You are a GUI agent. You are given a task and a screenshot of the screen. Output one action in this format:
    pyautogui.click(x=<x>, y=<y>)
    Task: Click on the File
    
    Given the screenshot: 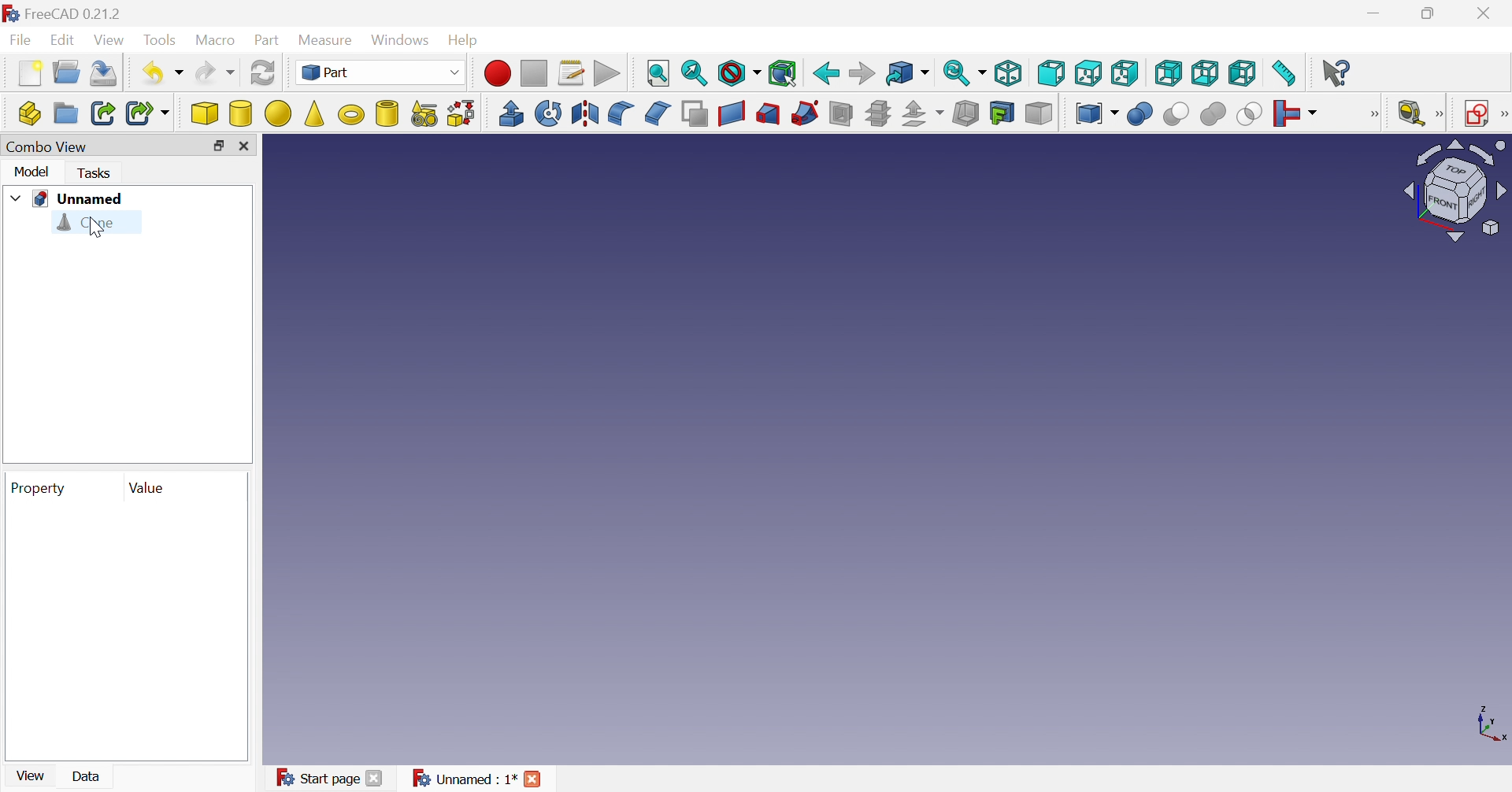 What is the action you would take?
    pyautogui.click(x=18, y=39)
    